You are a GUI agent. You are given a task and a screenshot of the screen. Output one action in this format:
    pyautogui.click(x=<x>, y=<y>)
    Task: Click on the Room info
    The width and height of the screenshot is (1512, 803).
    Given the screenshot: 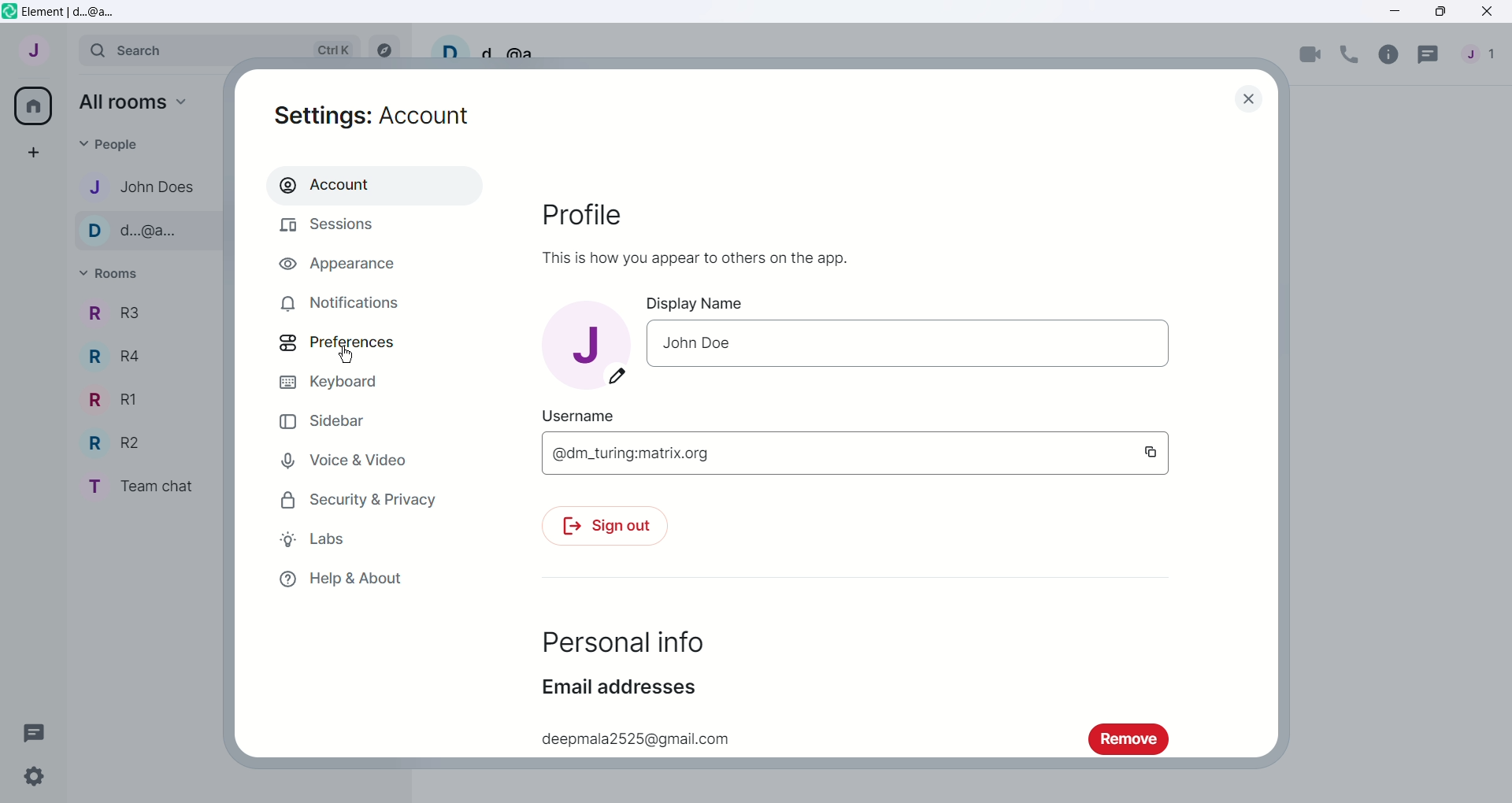 What is the action you would take?
    pyautogui.click(x=1388, y=56)
    